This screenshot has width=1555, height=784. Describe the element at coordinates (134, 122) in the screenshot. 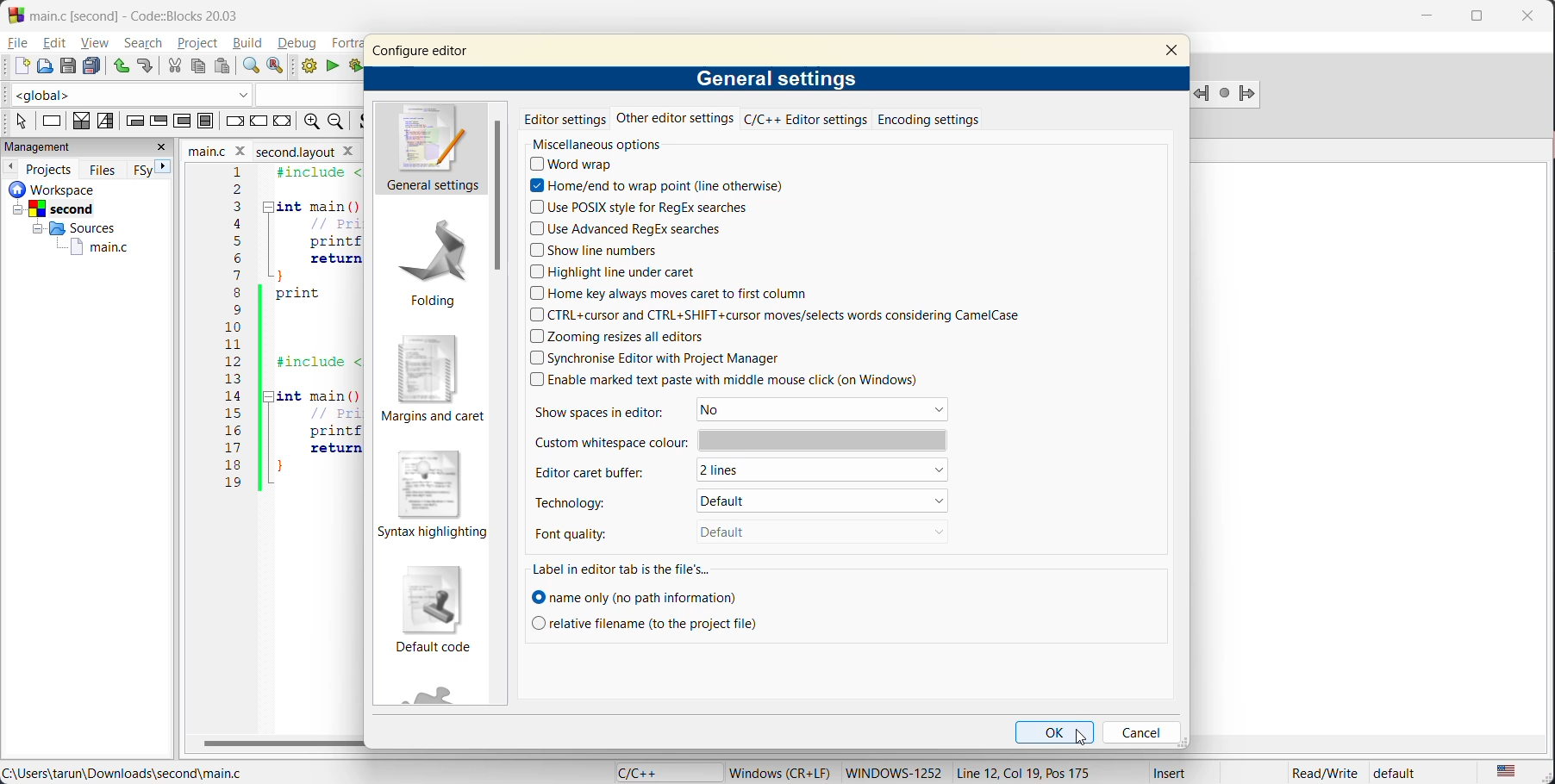

I see `entry condition loop` at that location.